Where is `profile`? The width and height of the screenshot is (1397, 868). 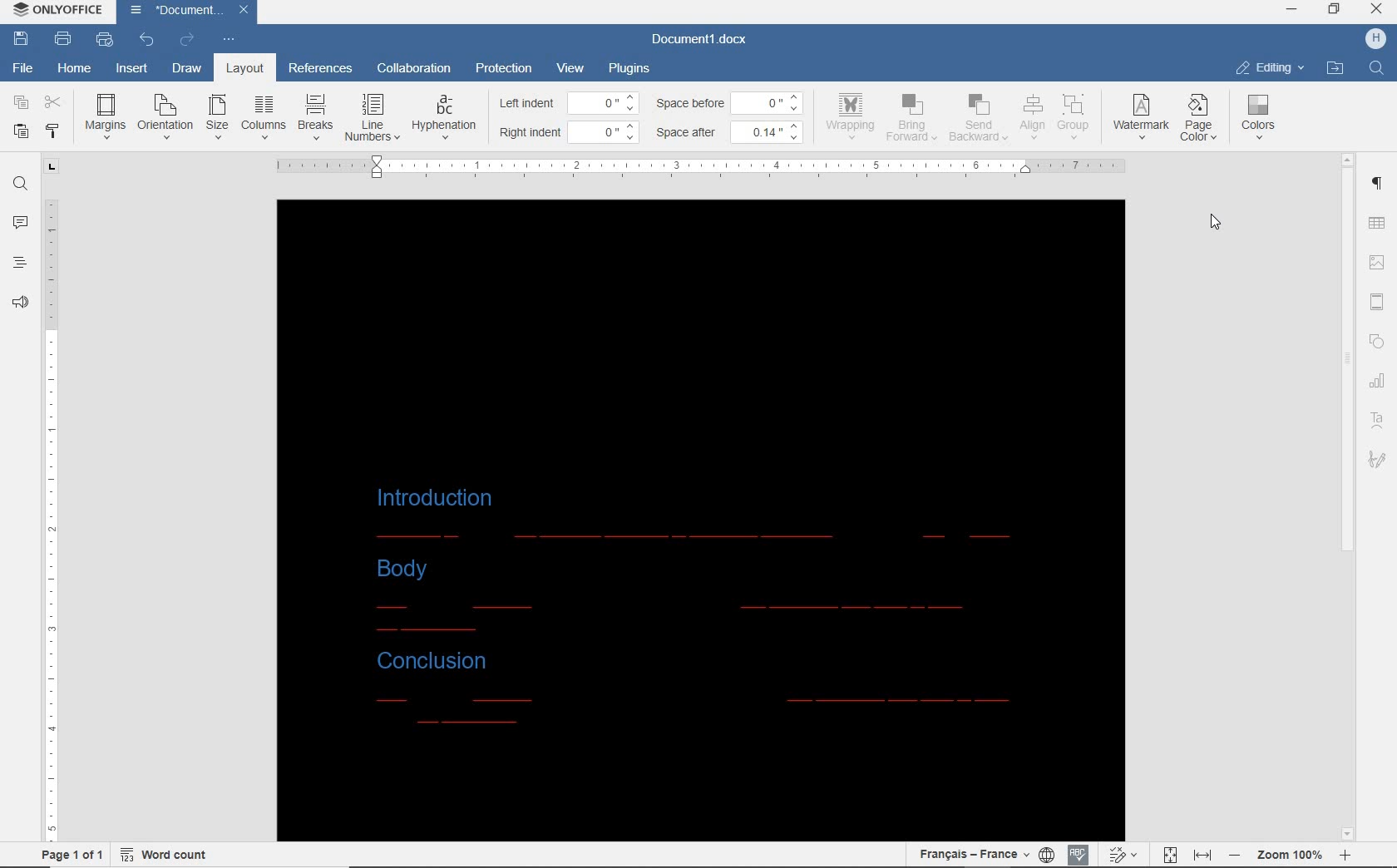
profile is located at coordinates (1368, 38).